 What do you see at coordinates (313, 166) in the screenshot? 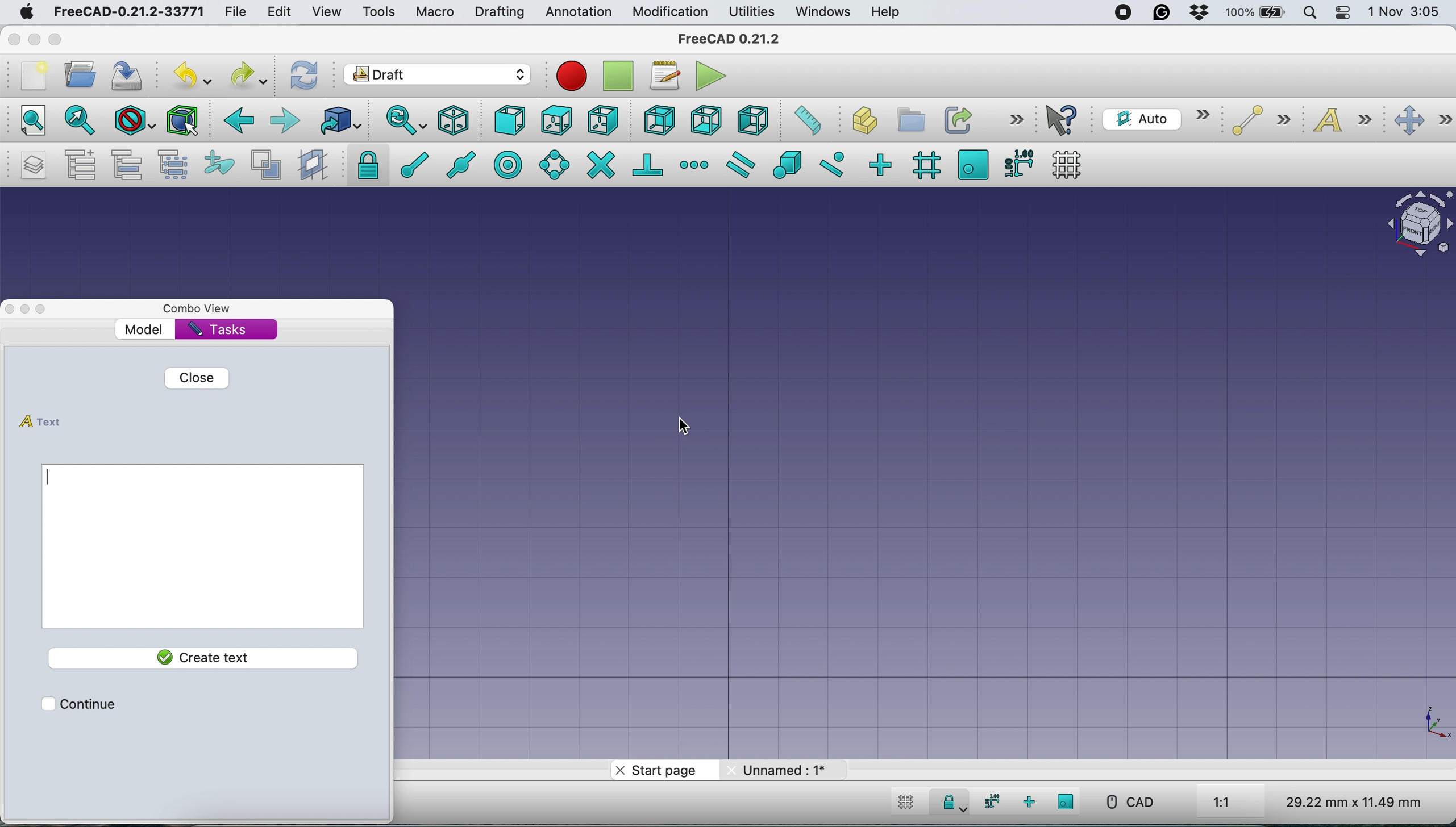
I see `create working plane proxy` at bounding box center [313, 166].